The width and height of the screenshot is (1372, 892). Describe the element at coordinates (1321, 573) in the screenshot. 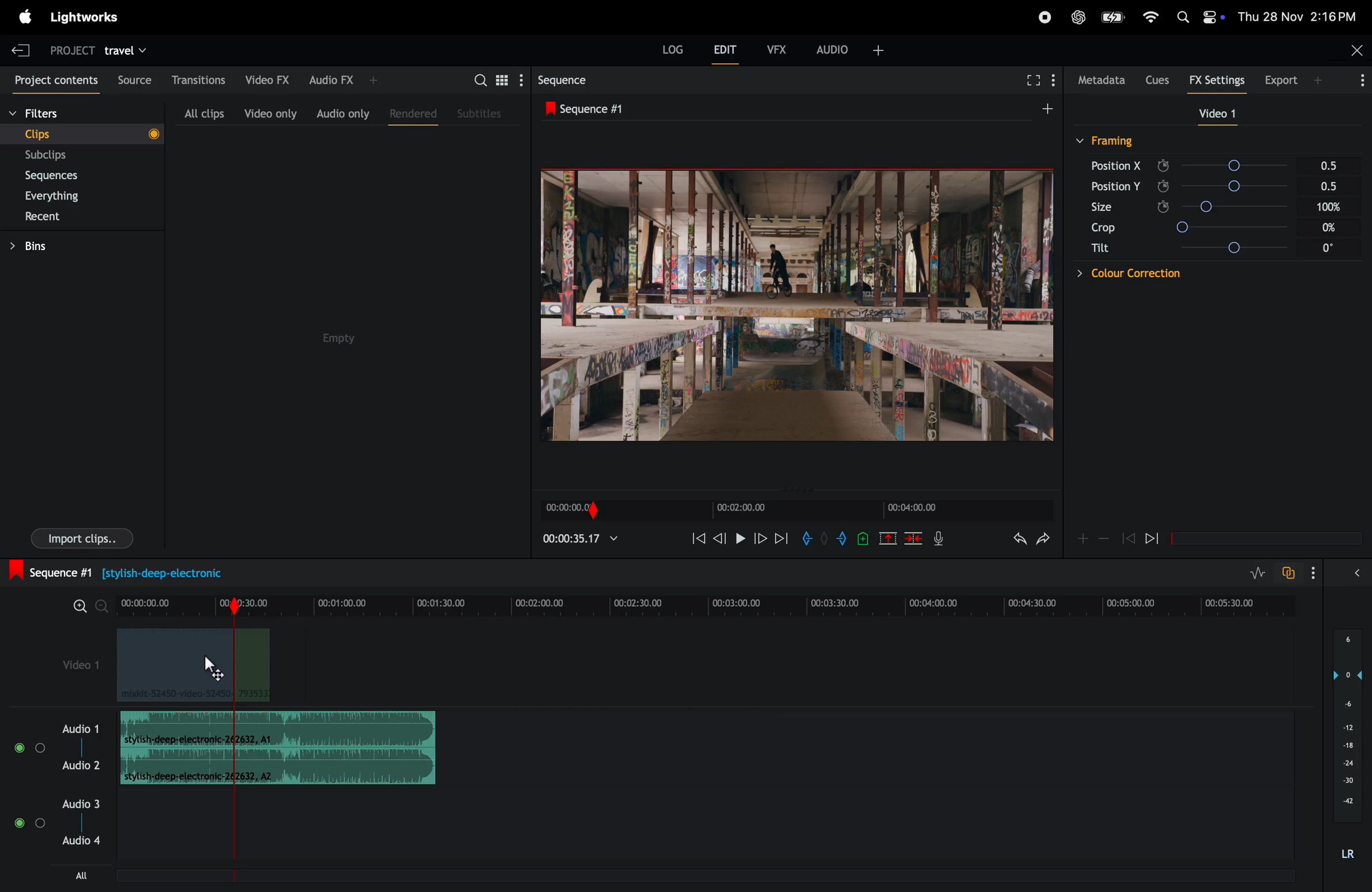

I see `options` at that location.